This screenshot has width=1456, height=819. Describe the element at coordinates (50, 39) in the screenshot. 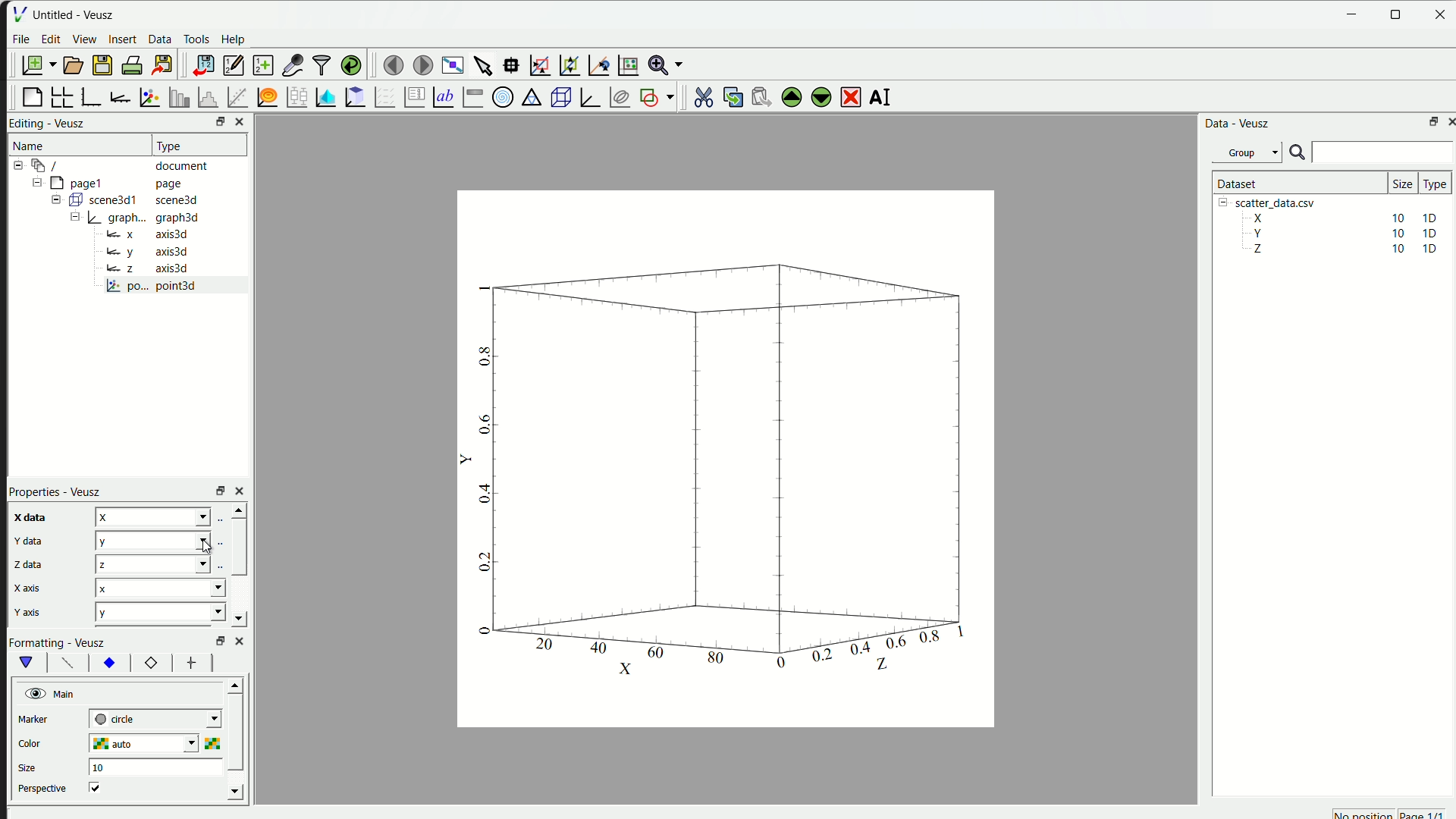

I see `edit` at that location.